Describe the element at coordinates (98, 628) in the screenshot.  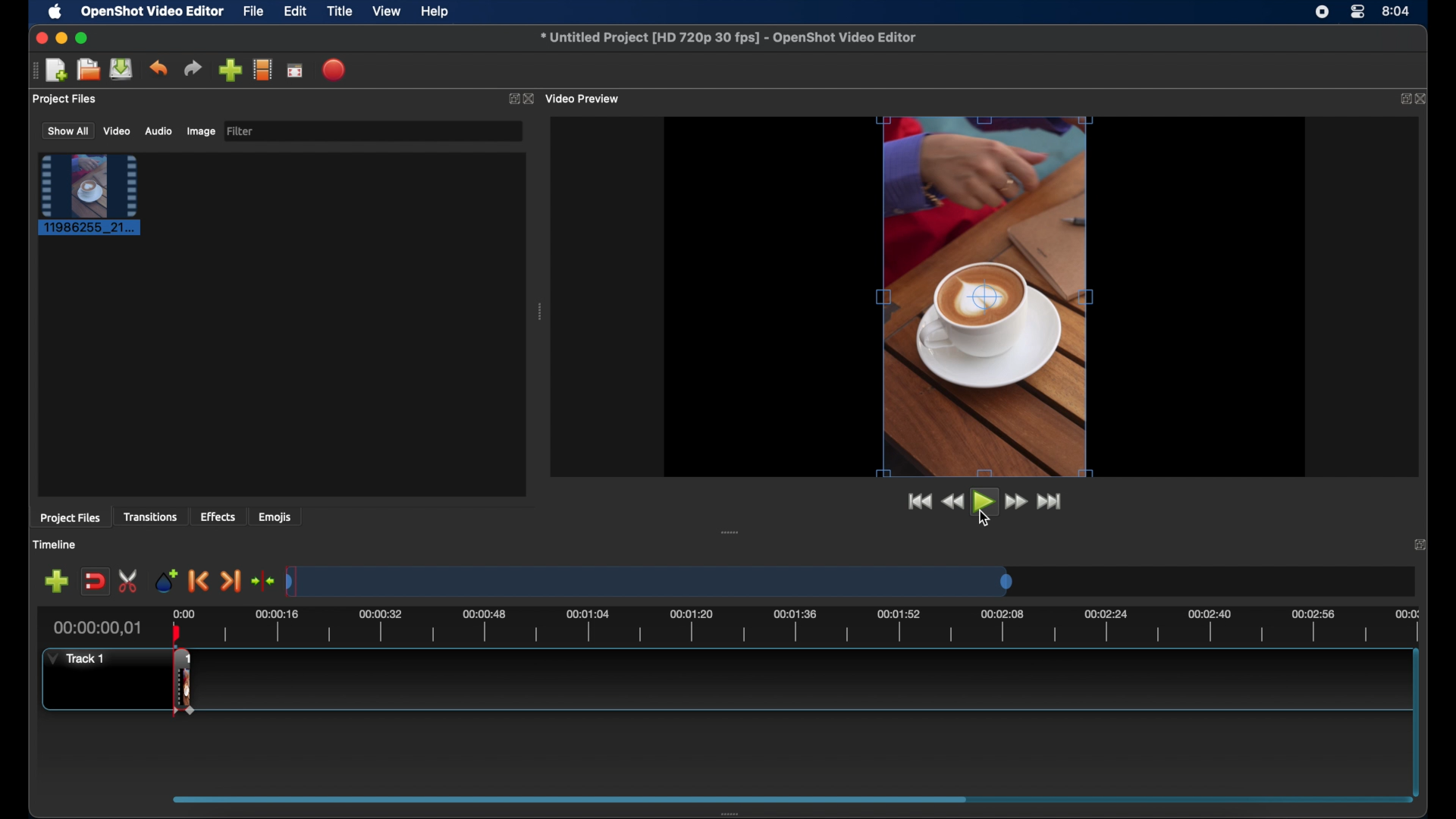
I see `current time indicator` at that location.